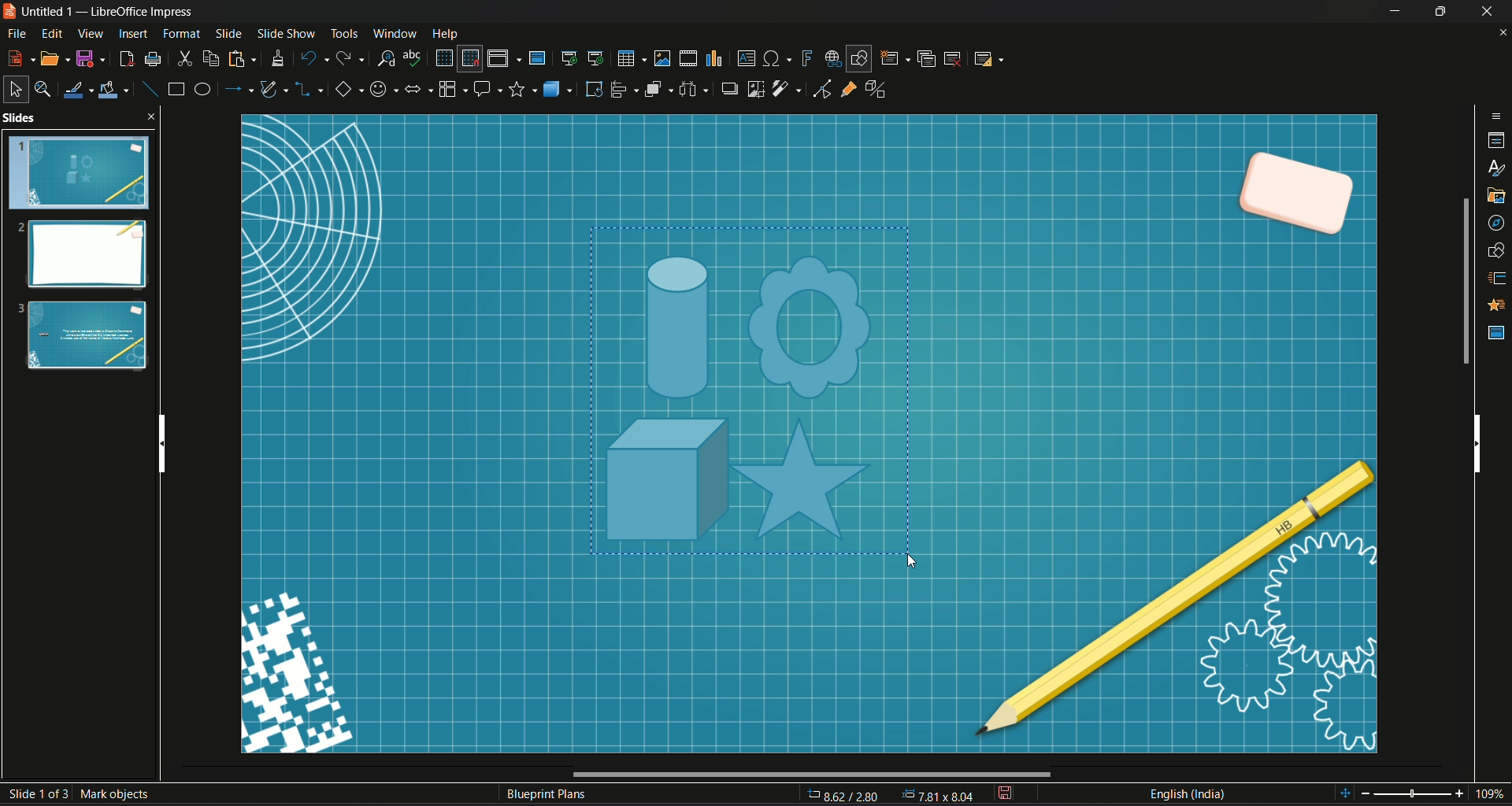 The image size is (1512, 806). I want to click on Minimize, so click(1395, 11).